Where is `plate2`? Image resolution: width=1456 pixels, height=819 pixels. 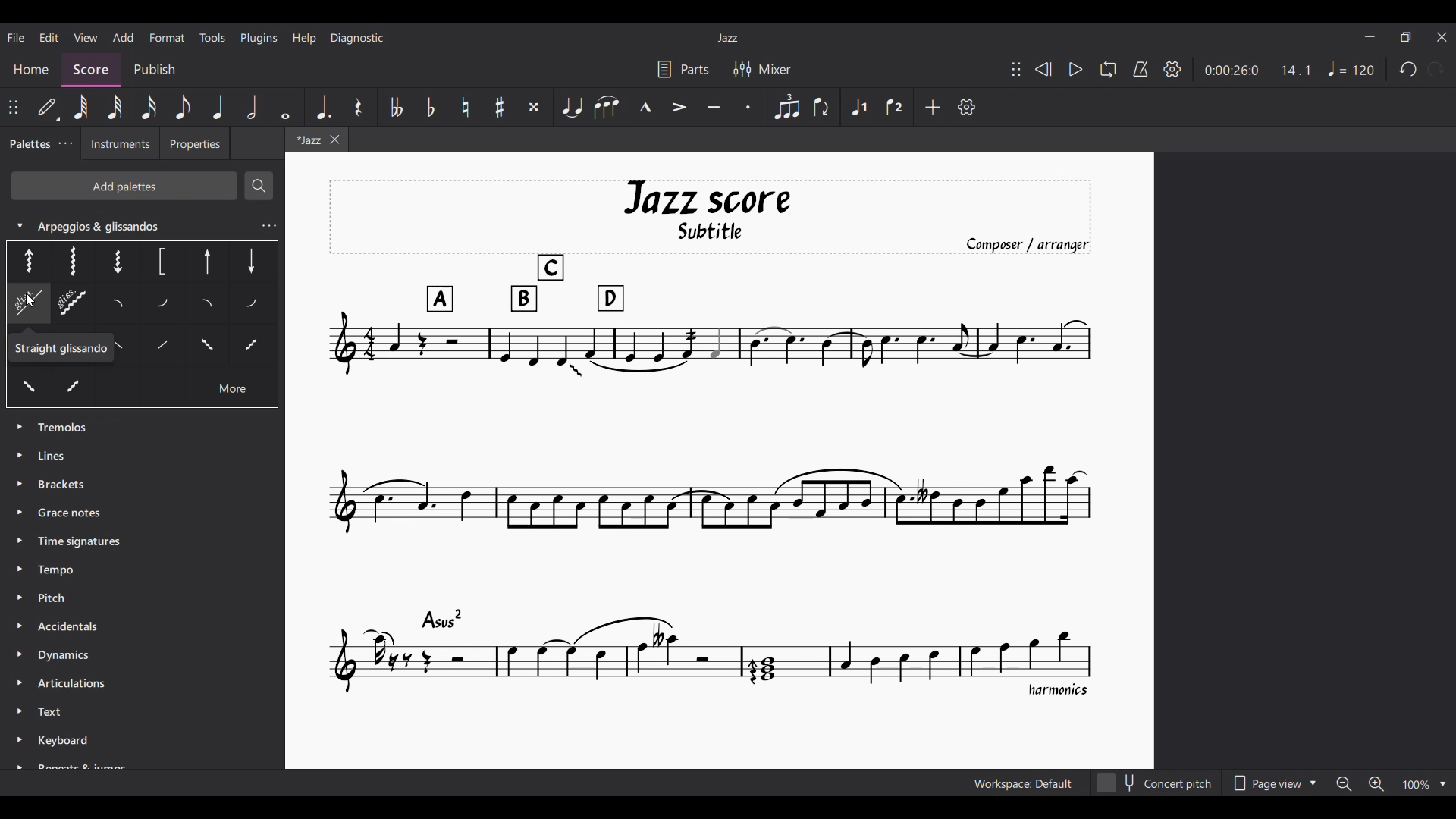
plate2 is located at coordinates (72, 261).